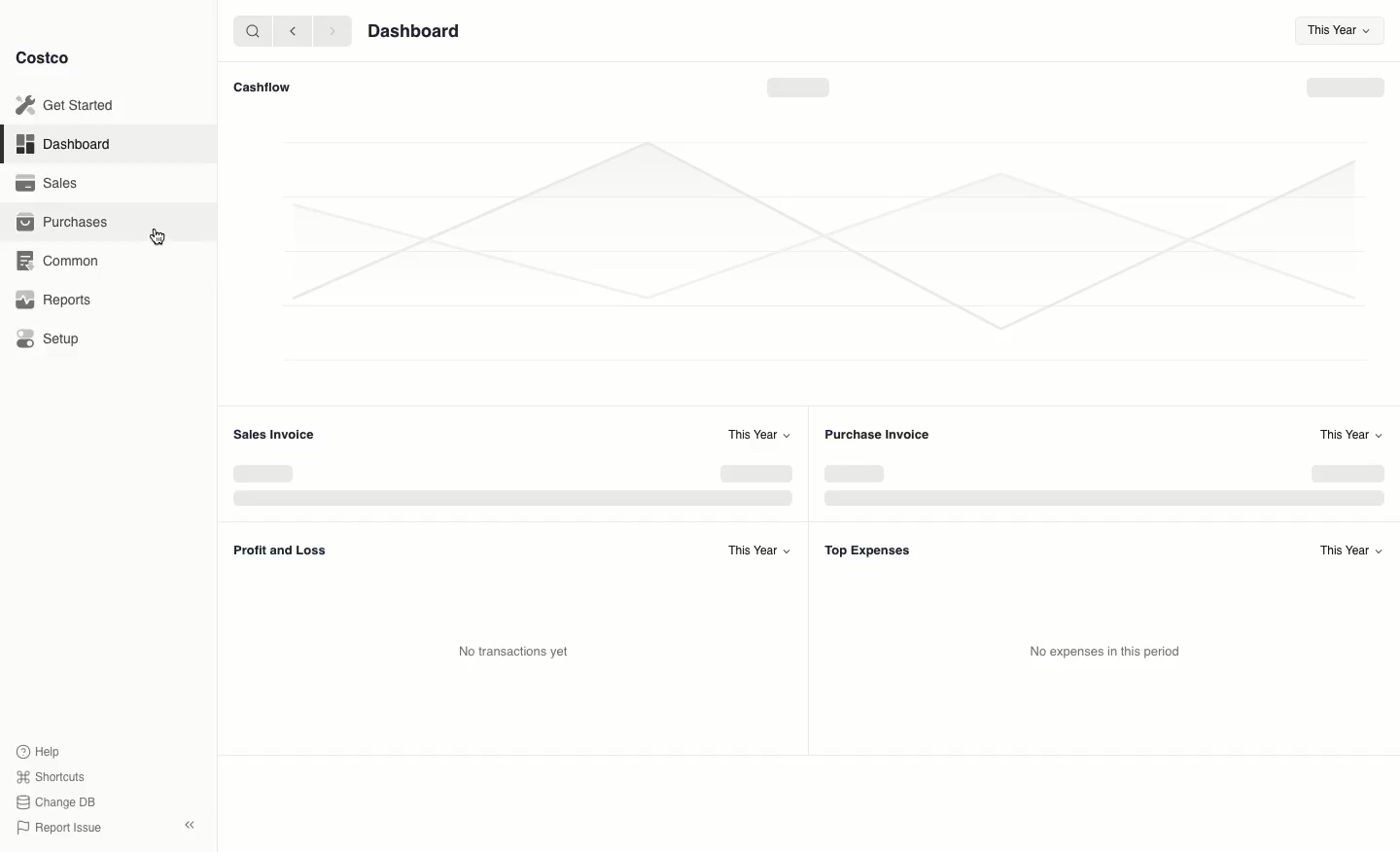  Describe the element at coordinates (1105, 652) in the screenshot. I see `No expenses in this period` at that location.